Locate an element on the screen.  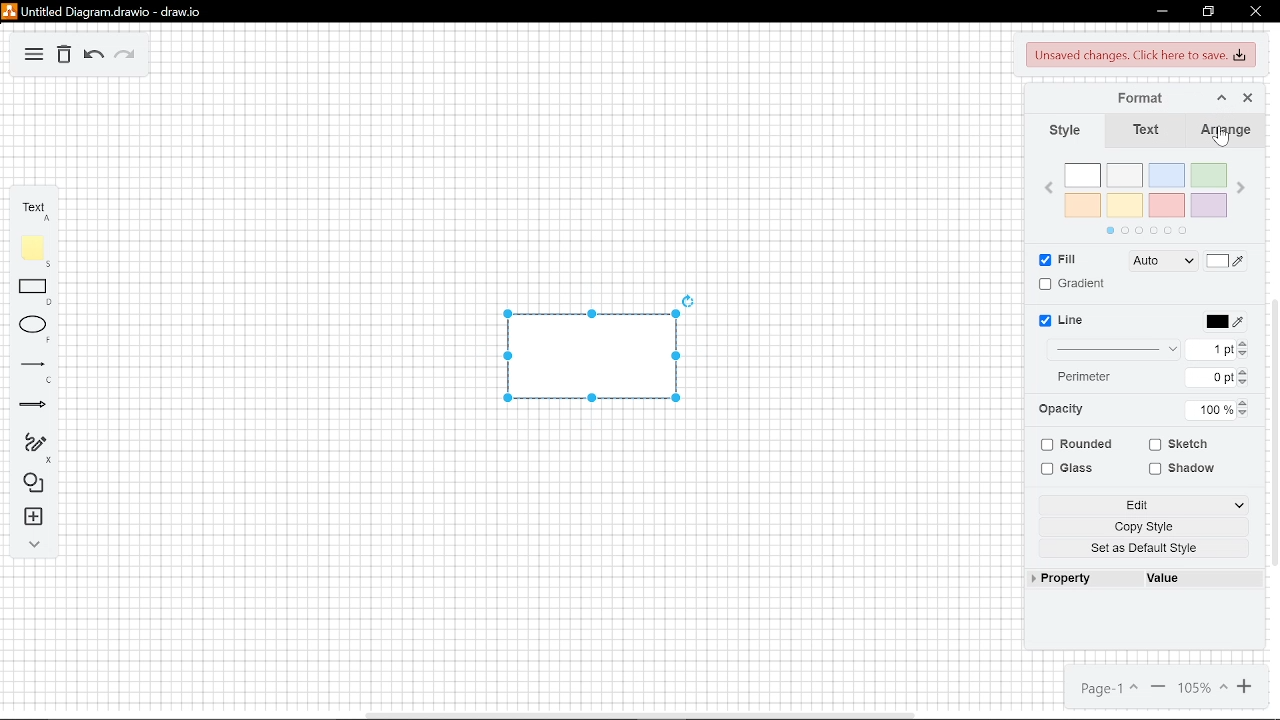
Decrease opacity is located at coordinates (1243, 413).